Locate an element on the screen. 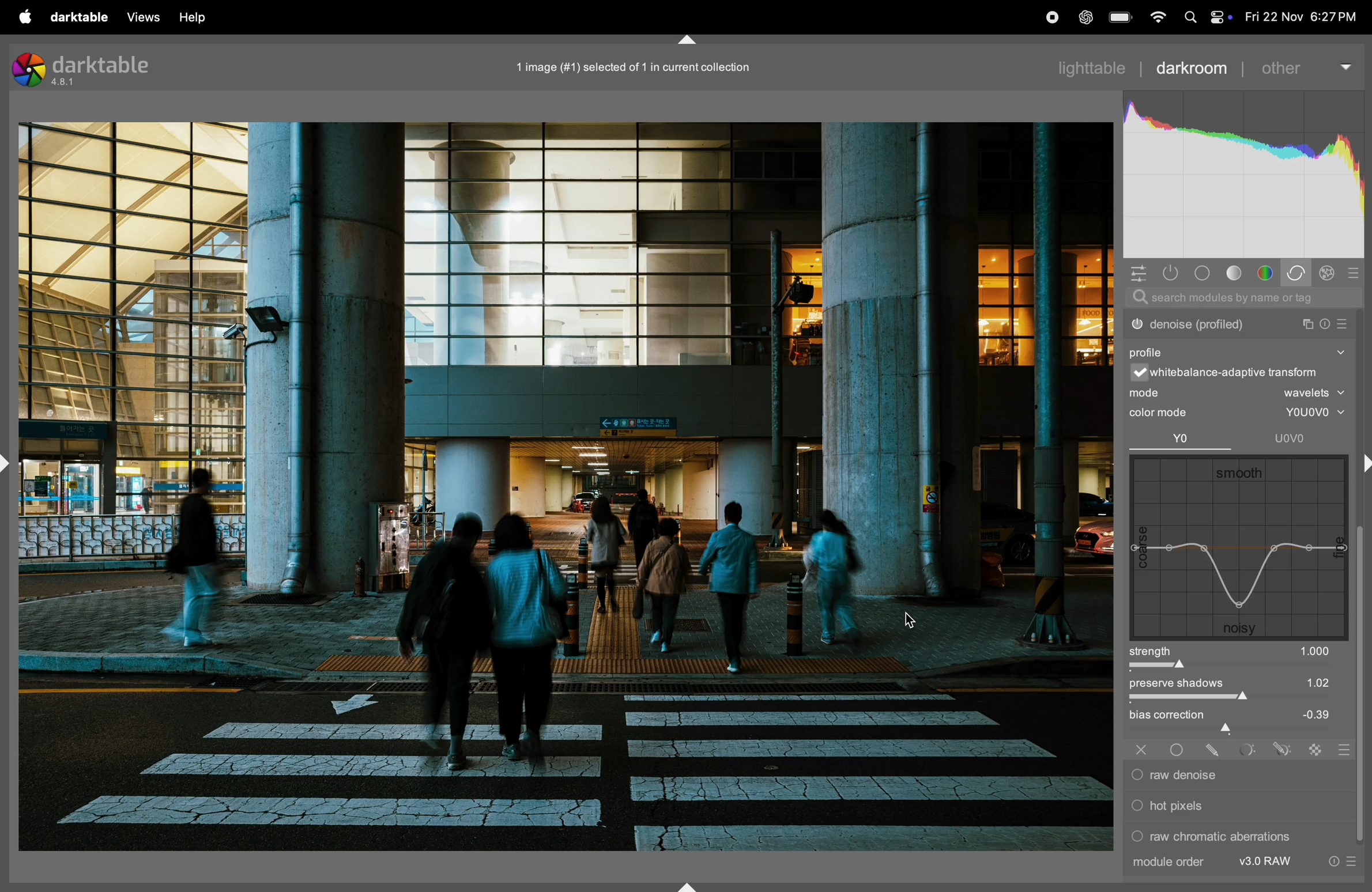 This screenshot has height=892, width=1372. darktable version is located at coordinates (96, 66).